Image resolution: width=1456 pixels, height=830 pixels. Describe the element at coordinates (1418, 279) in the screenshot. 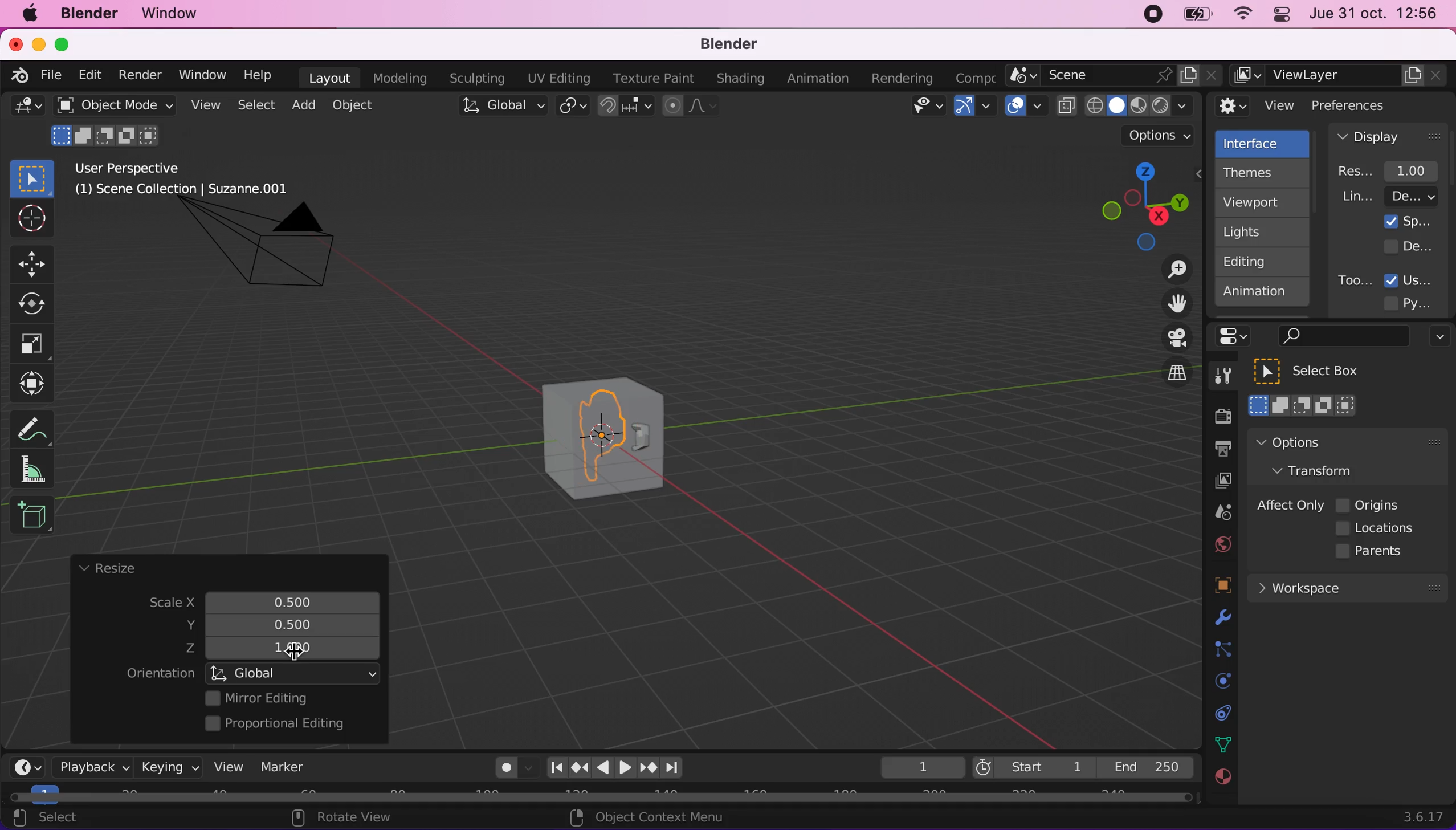

I see `user tooltips` at that location.